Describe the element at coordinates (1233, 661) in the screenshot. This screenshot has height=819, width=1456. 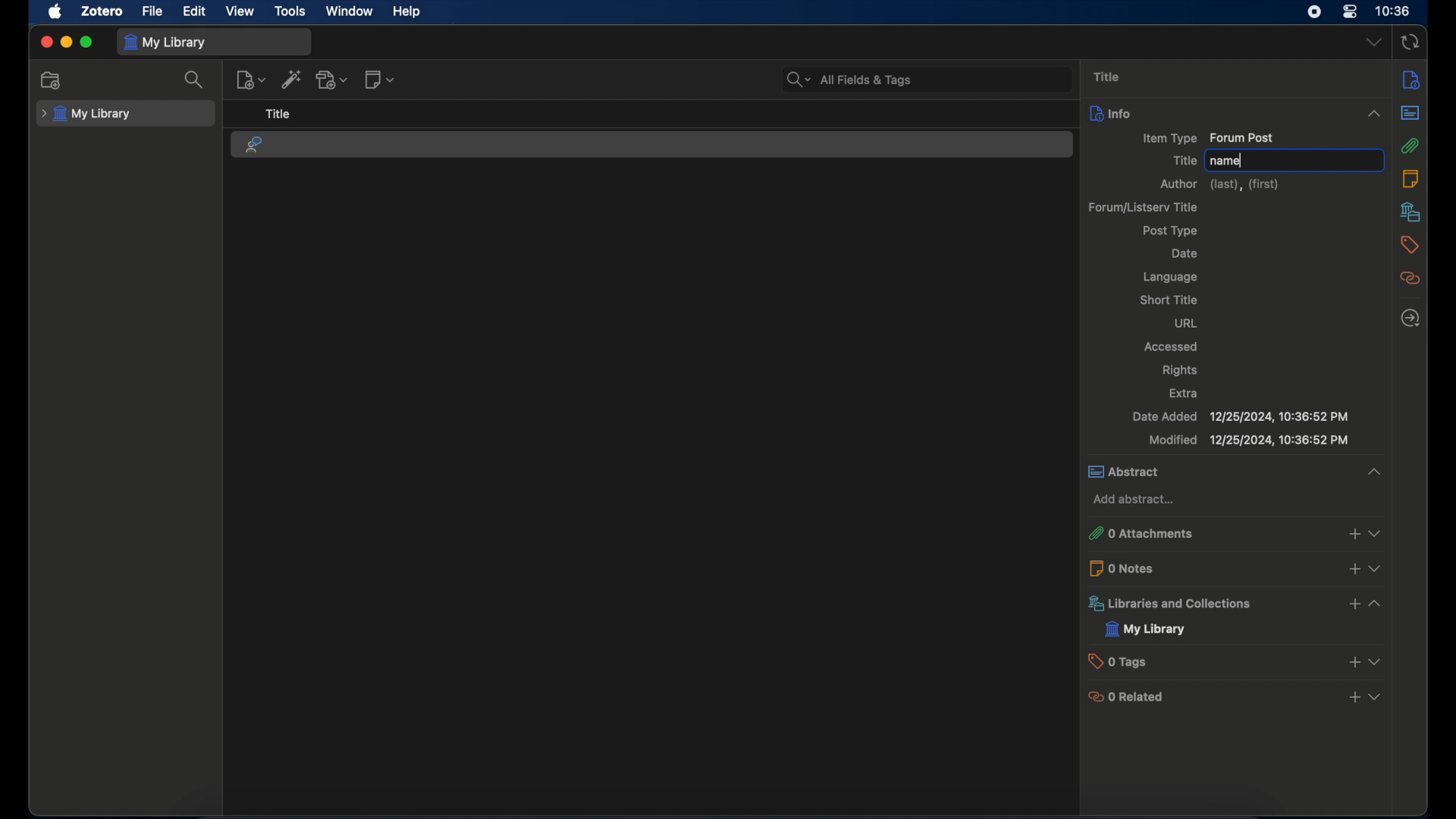
I see `0 tags` at that location.